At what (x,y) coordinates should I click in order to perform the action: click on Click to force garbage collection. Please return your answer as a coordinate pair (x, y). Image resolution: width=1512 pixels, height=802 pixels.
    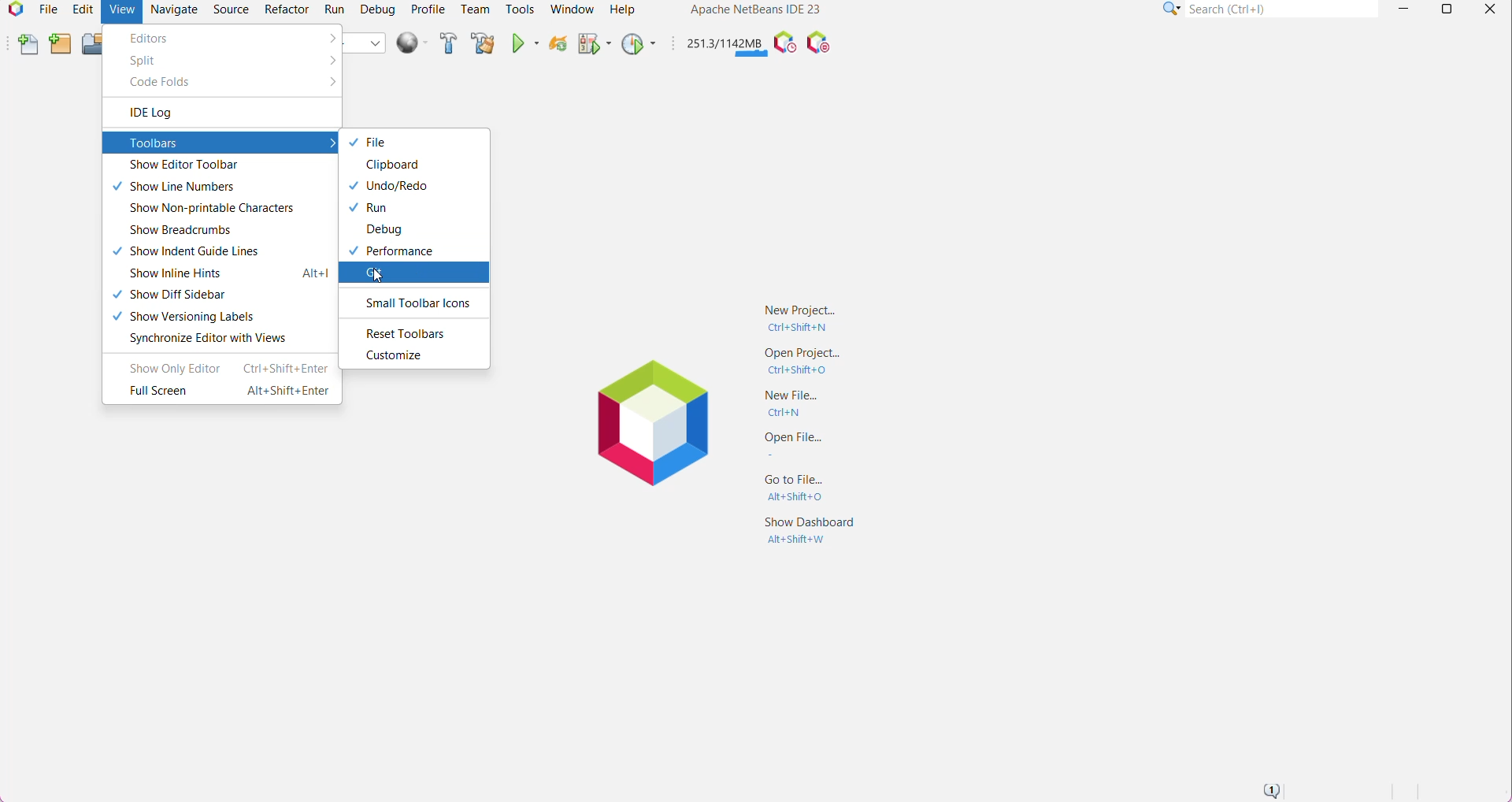
    Looking at the image, I should click on (724, 43).